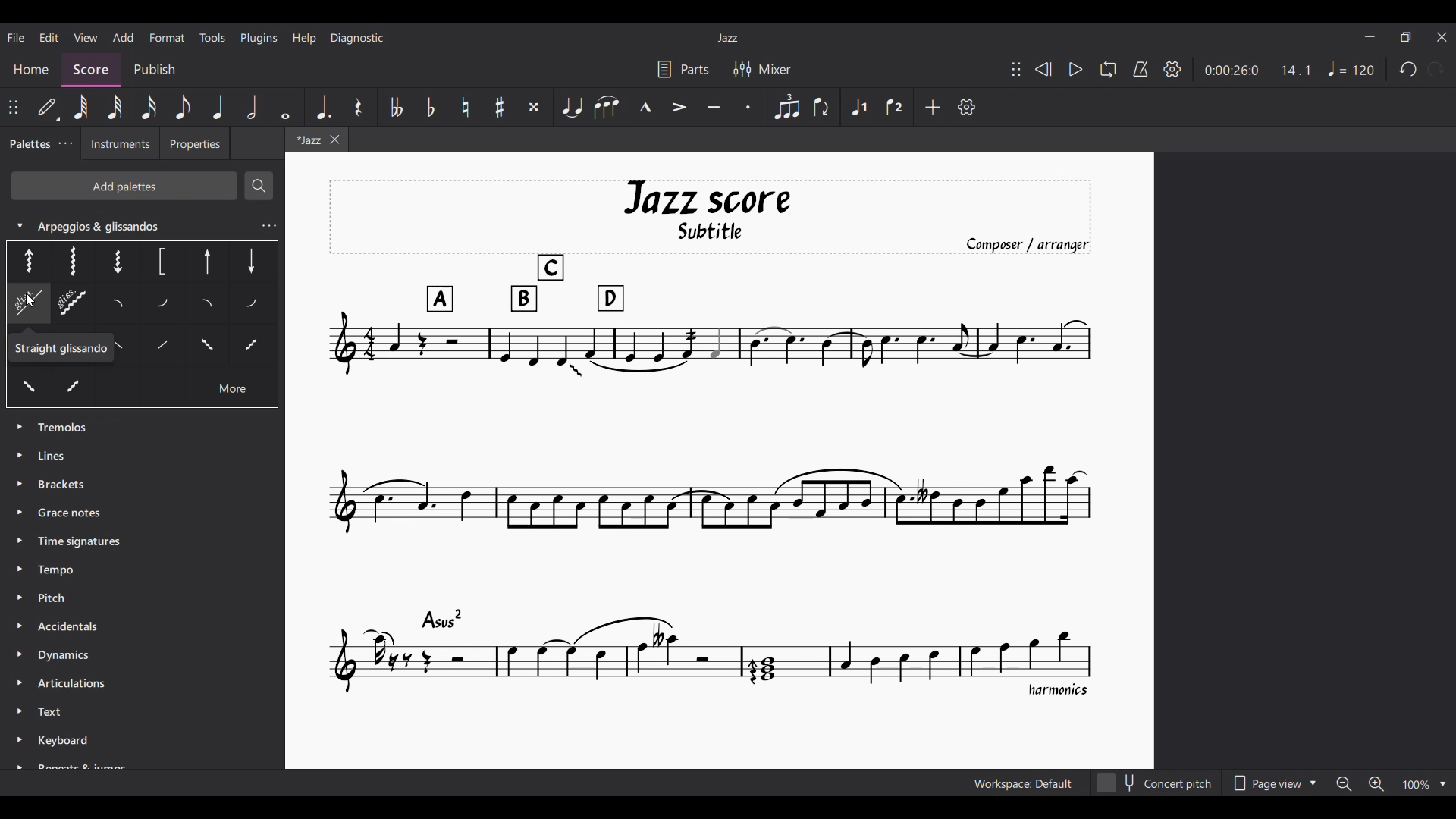 This screenshot has width=1456, height=819. Describe the element at coordinates (74, 513) in the screenshot. I see `Grace Note` at that location.